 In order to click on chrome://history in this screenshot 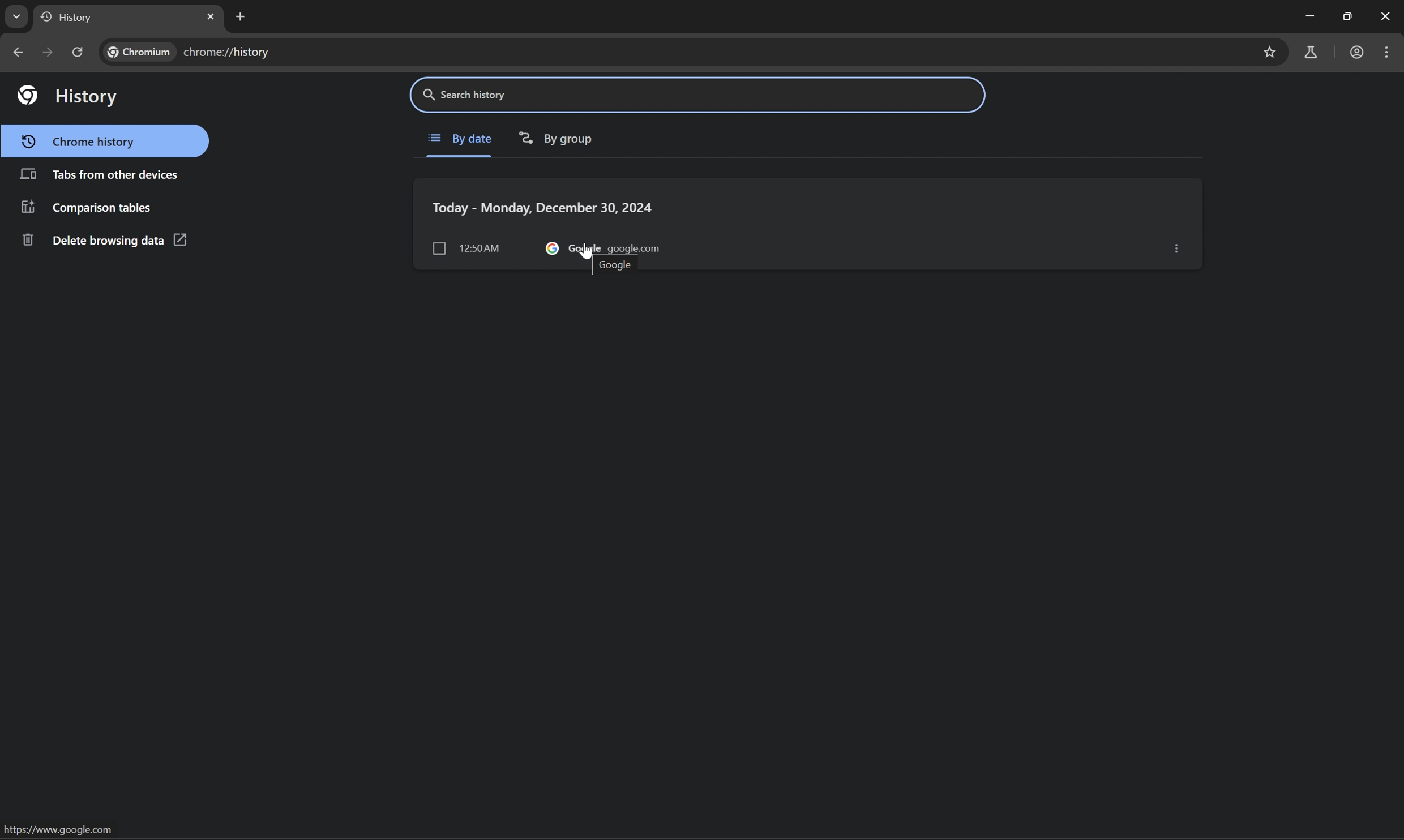, I will do `click(713, 52)`.